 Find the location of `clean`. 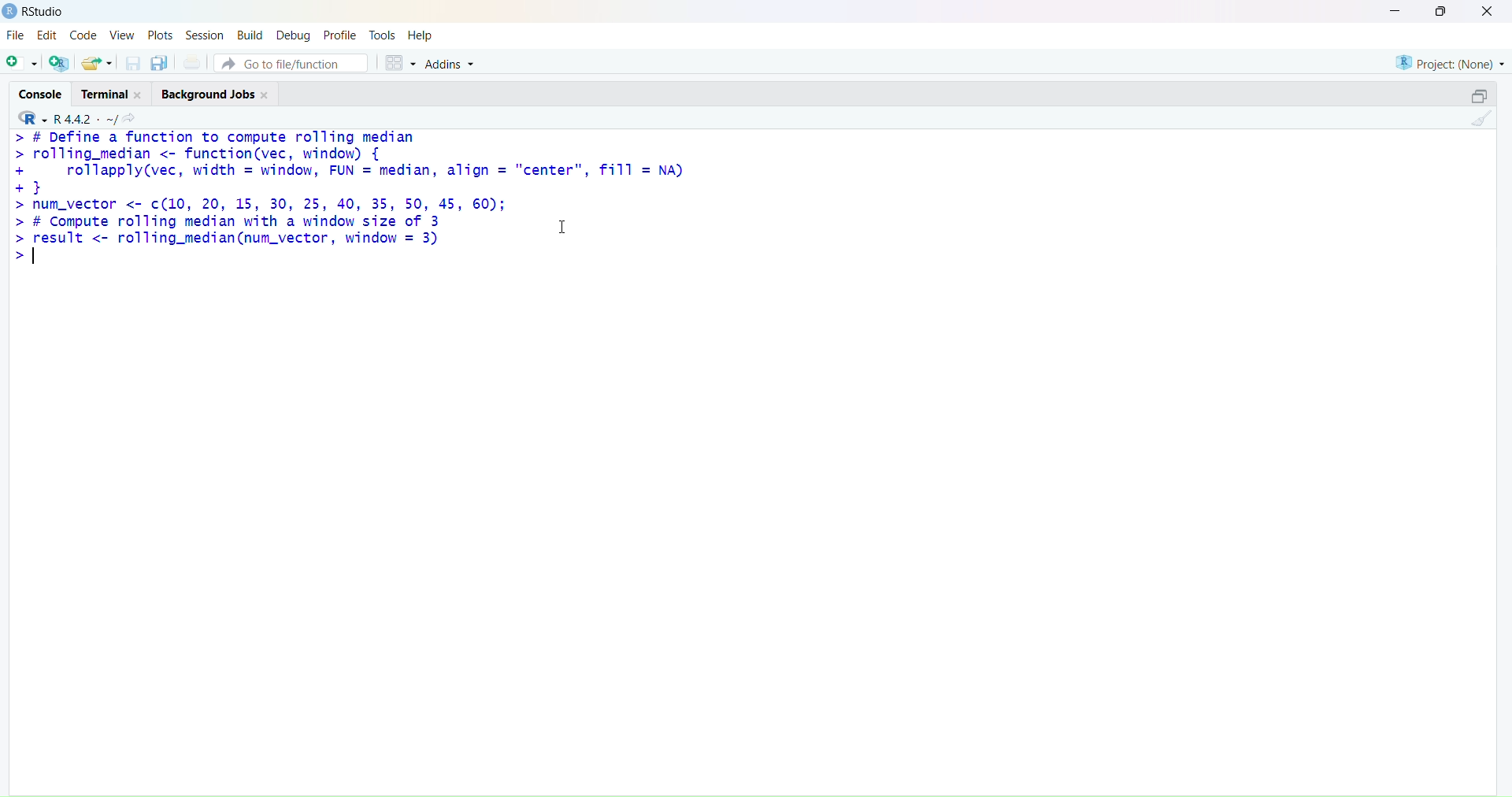

clean is located at coordinates (1481, 118).